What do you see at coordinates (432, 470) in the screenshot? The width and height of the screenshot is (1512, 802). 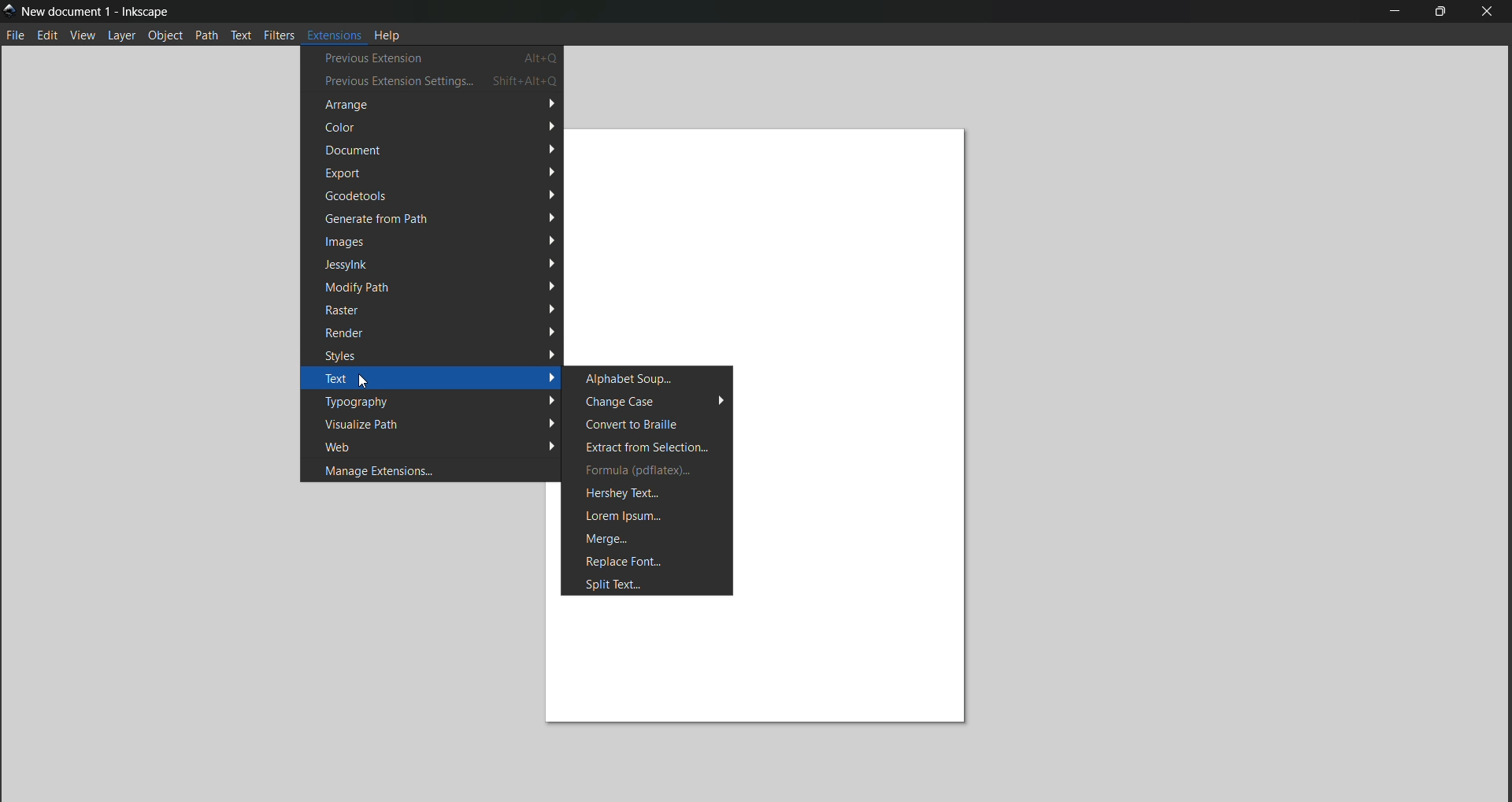 I see `manage extensions` at bounding box center [432, 470].